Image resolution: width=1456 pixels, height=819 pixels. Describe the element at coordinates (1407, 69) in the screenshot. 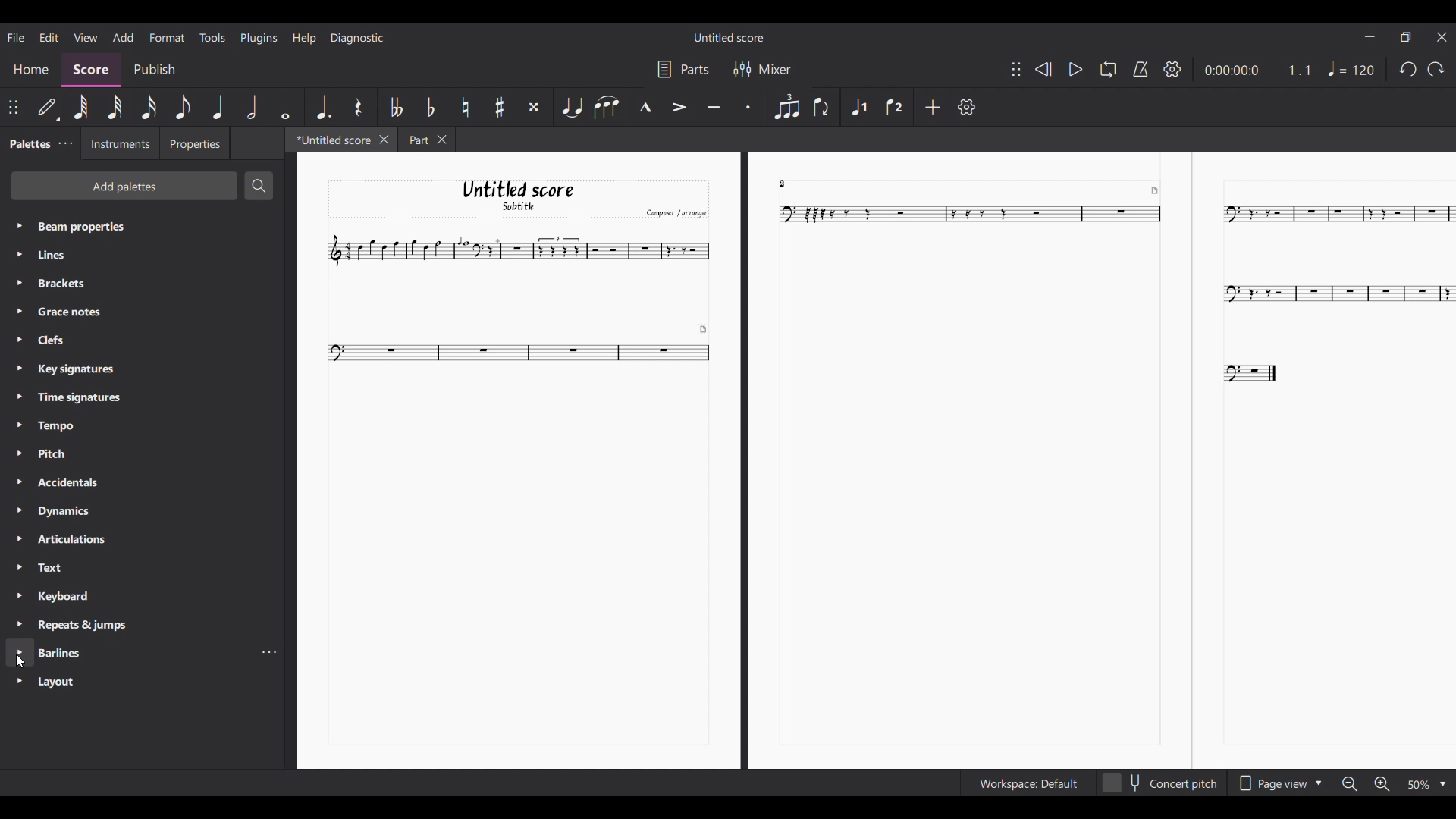

I see `Undo` at that location.